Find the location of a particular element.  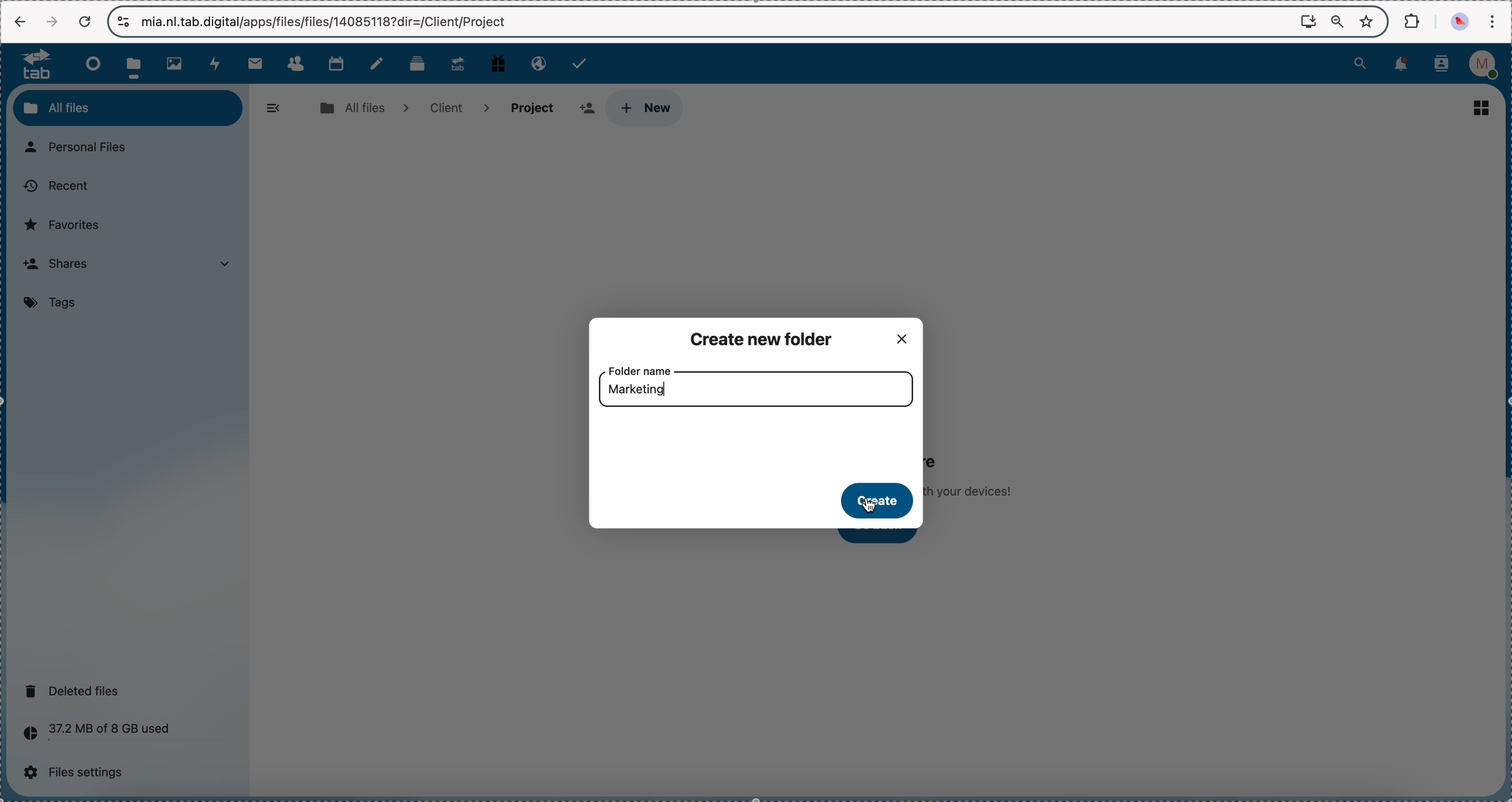

email is located at coordinates (536, 62).